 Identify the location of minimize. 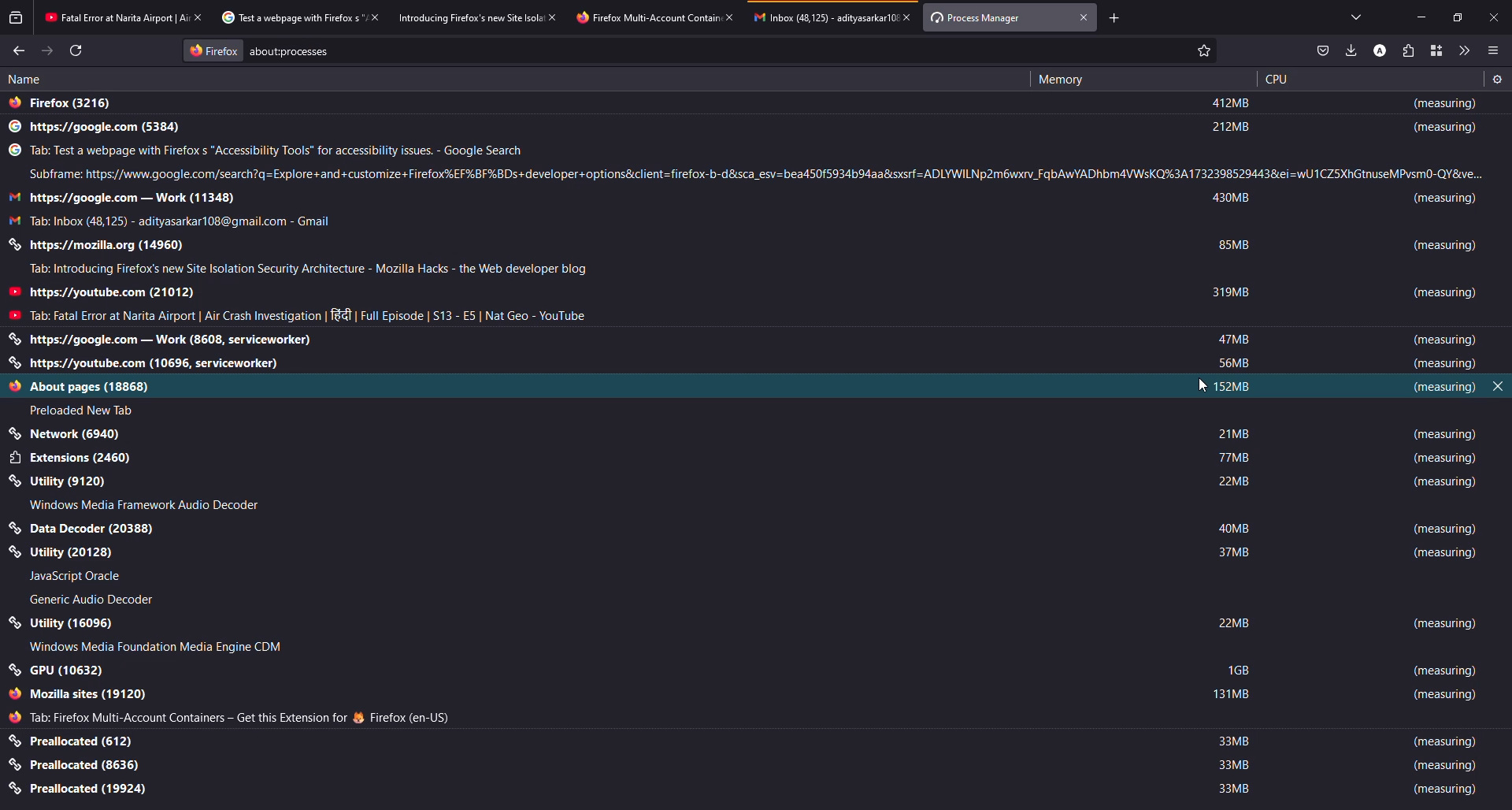
(1421, 17).